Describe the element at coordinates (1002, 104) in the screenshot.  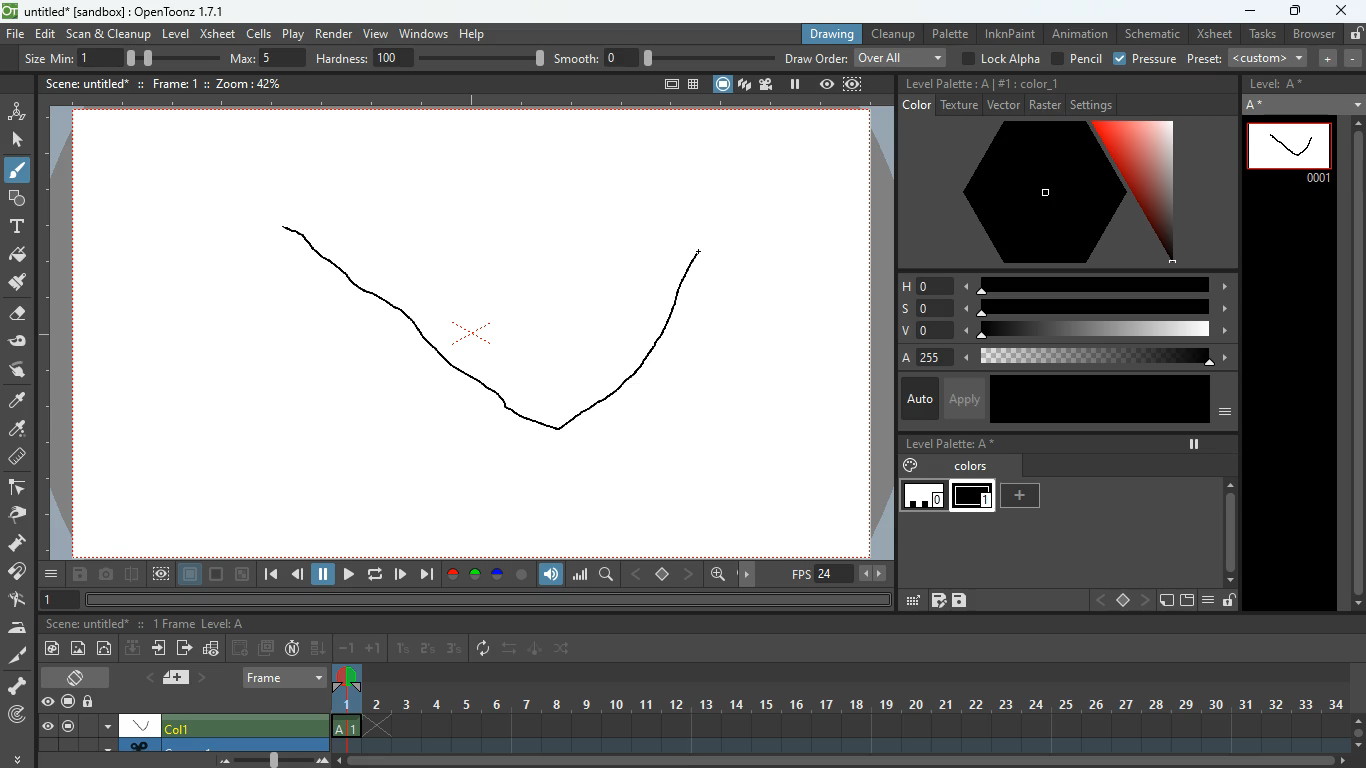
I see `vector` at that location.